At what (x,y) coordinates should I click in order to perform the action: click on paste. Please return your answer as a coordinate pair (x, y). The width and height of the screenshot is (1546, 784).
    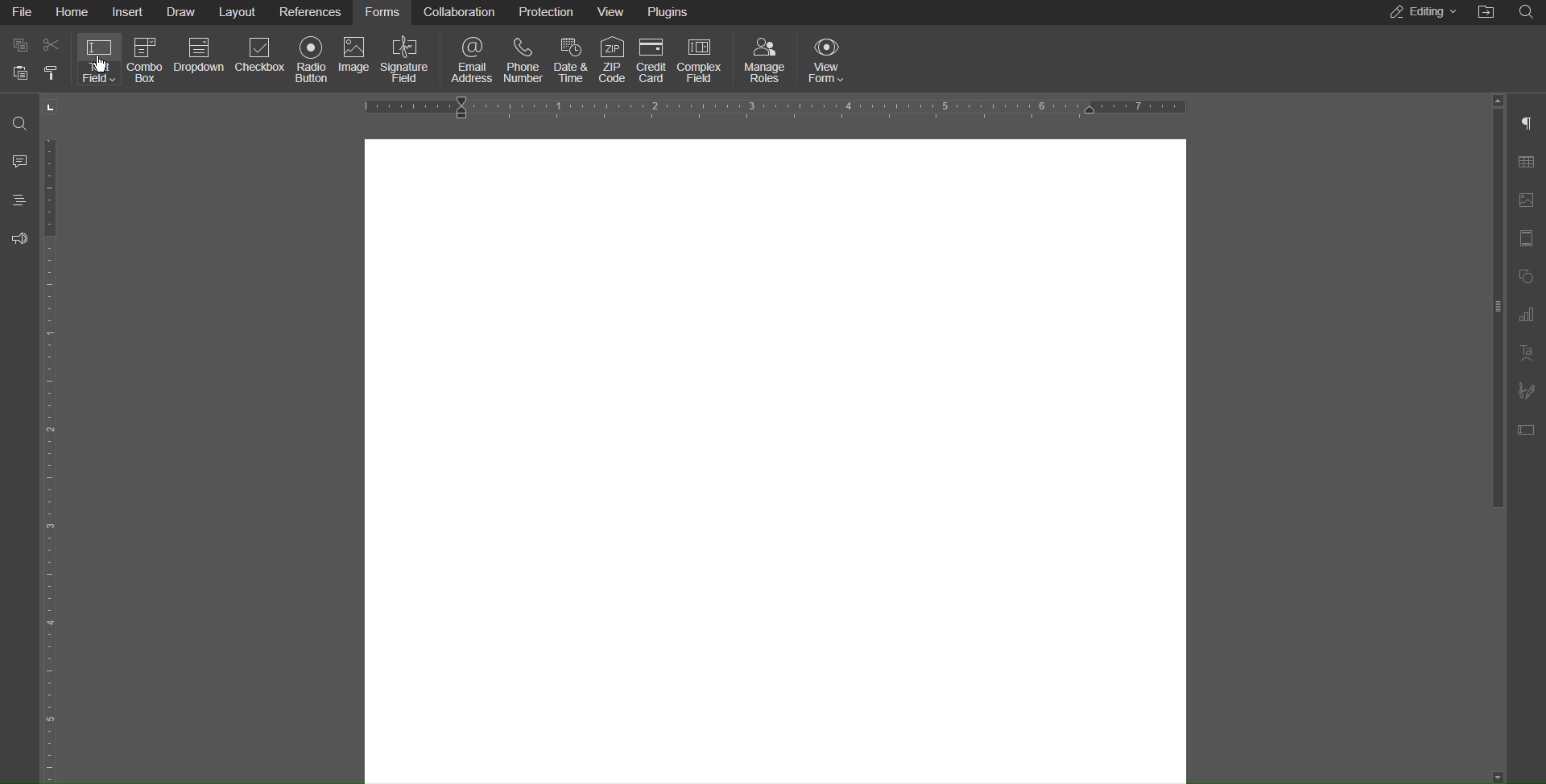
    Looking at the image, I should click on (21, 72).